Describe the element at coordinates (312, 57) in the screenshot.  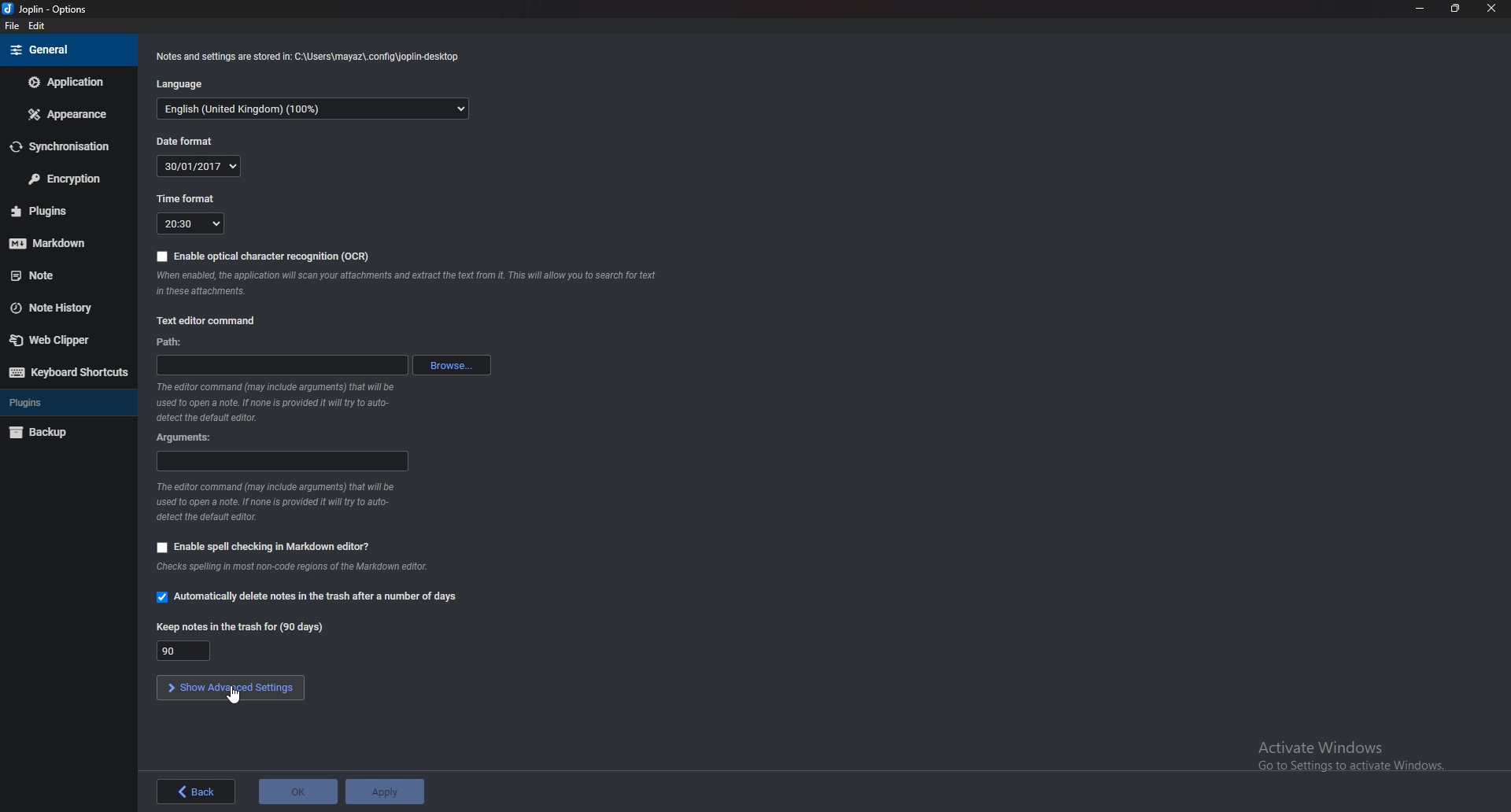
I see `Info` at that location.